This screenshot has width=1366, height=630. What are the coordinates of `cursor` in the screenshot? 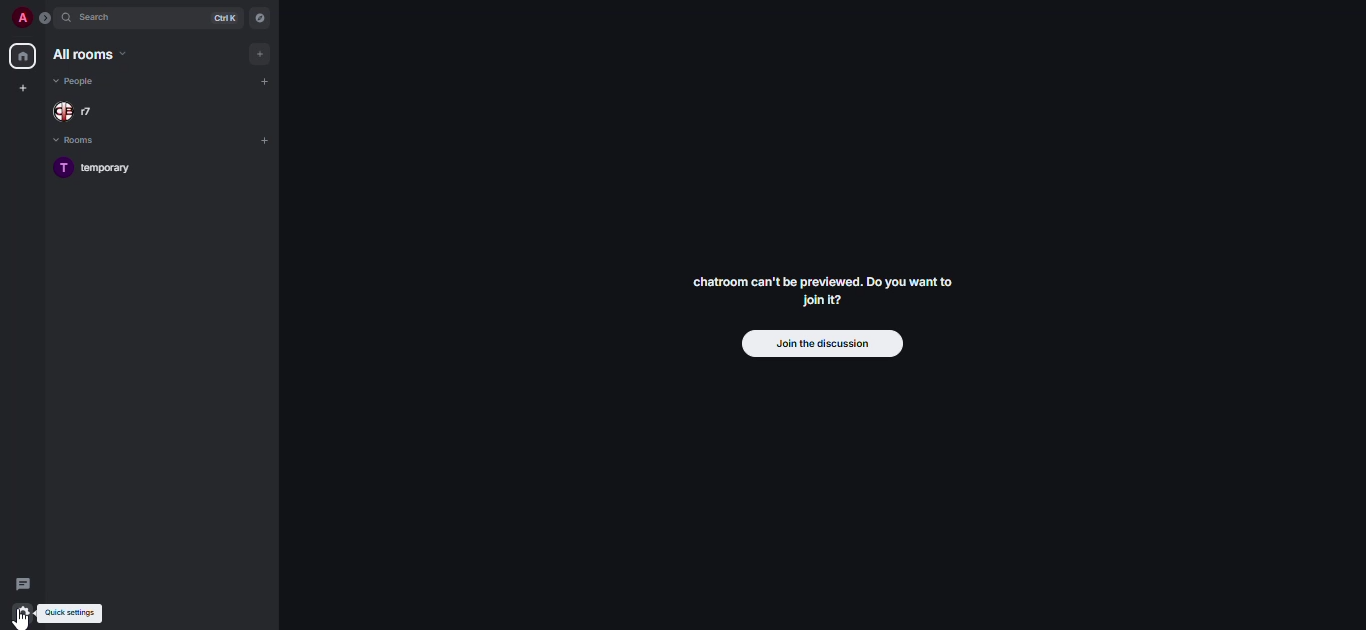 It's located at (25, 619).